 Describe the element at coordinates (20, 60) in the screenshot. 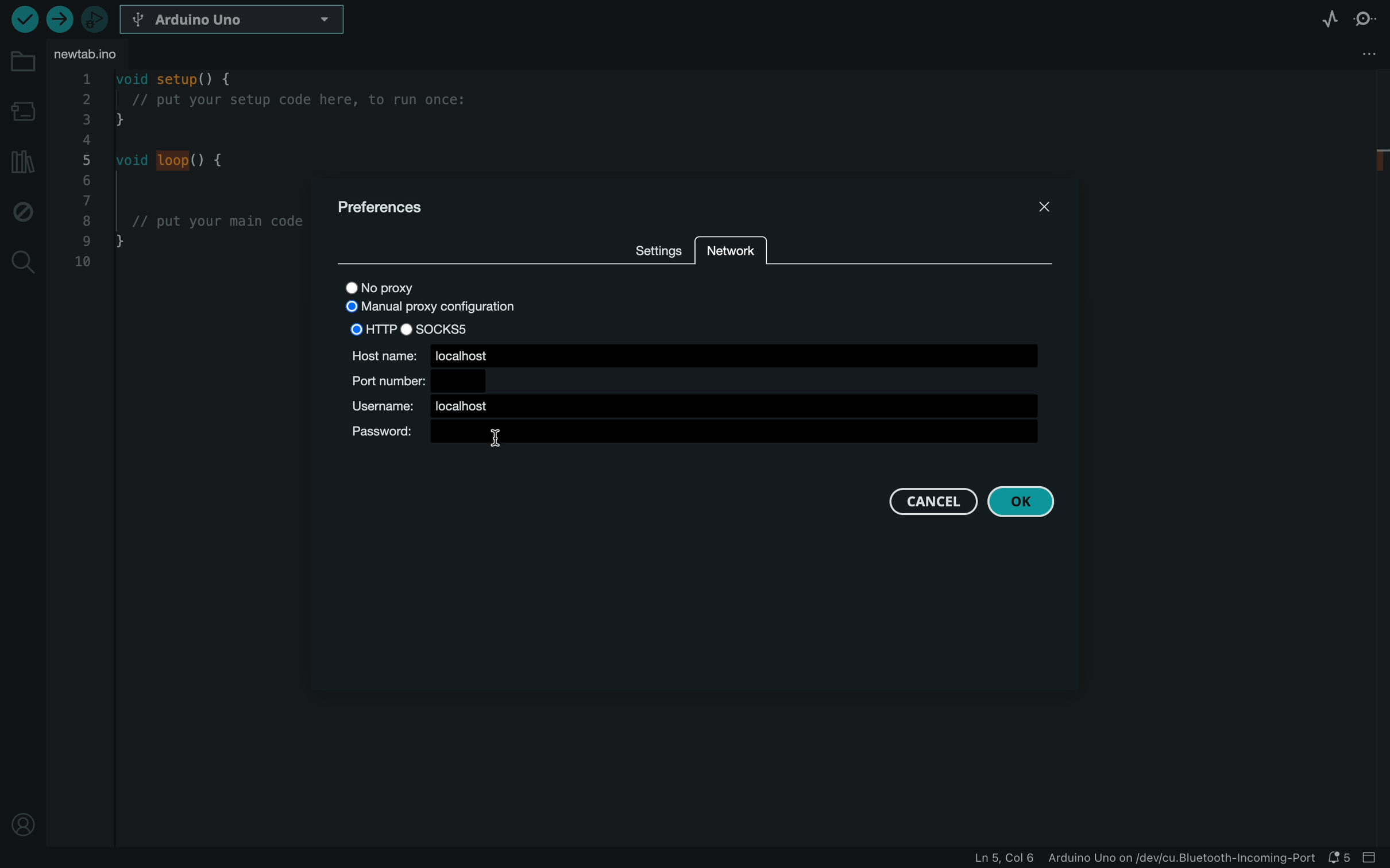

I see `folder` at that location.